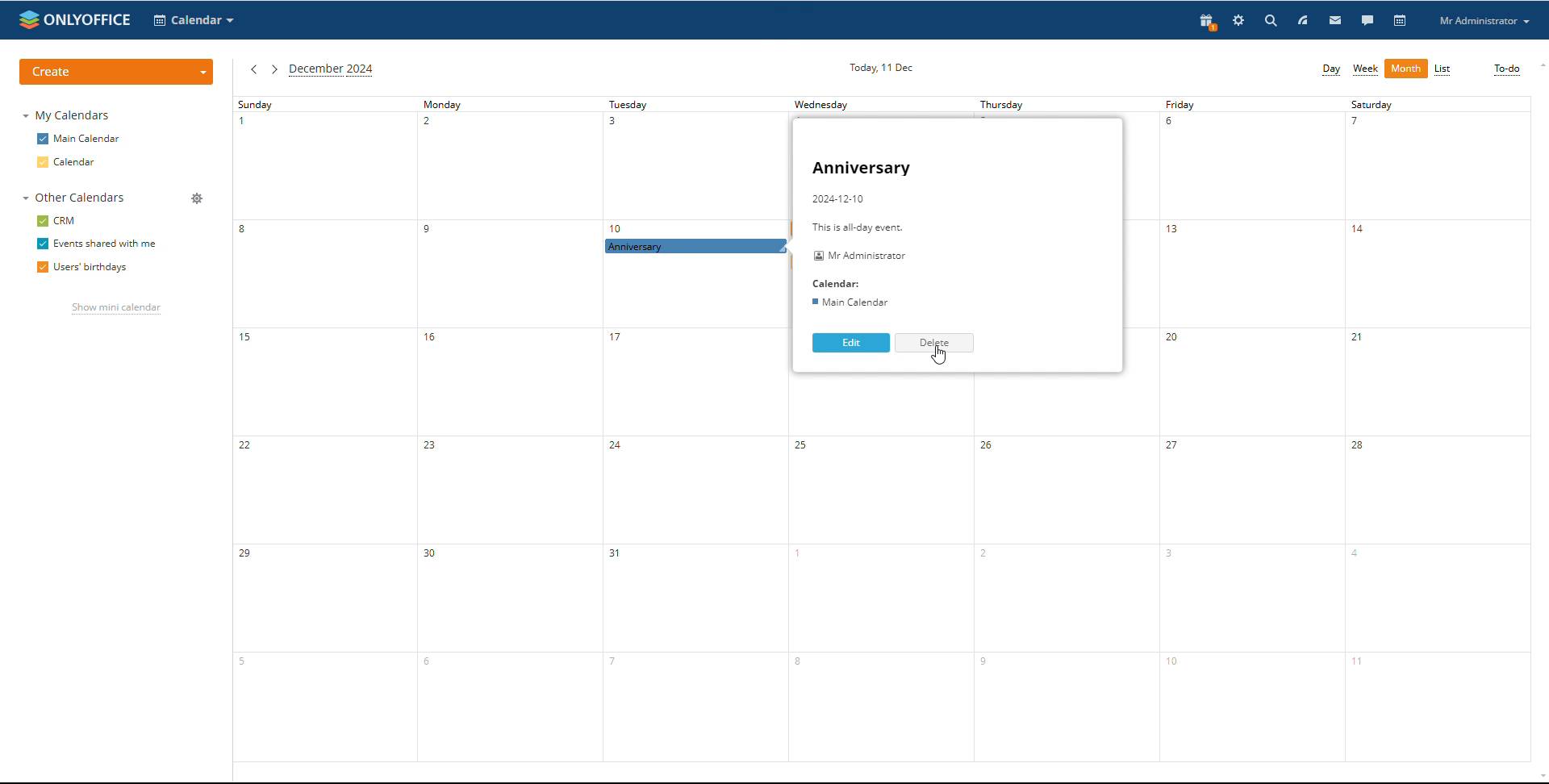 The width and height of the screenshot is (1549, 784). Describe the element at coordinates (1443, 69) in the screenshot. I see `list view` at that location.